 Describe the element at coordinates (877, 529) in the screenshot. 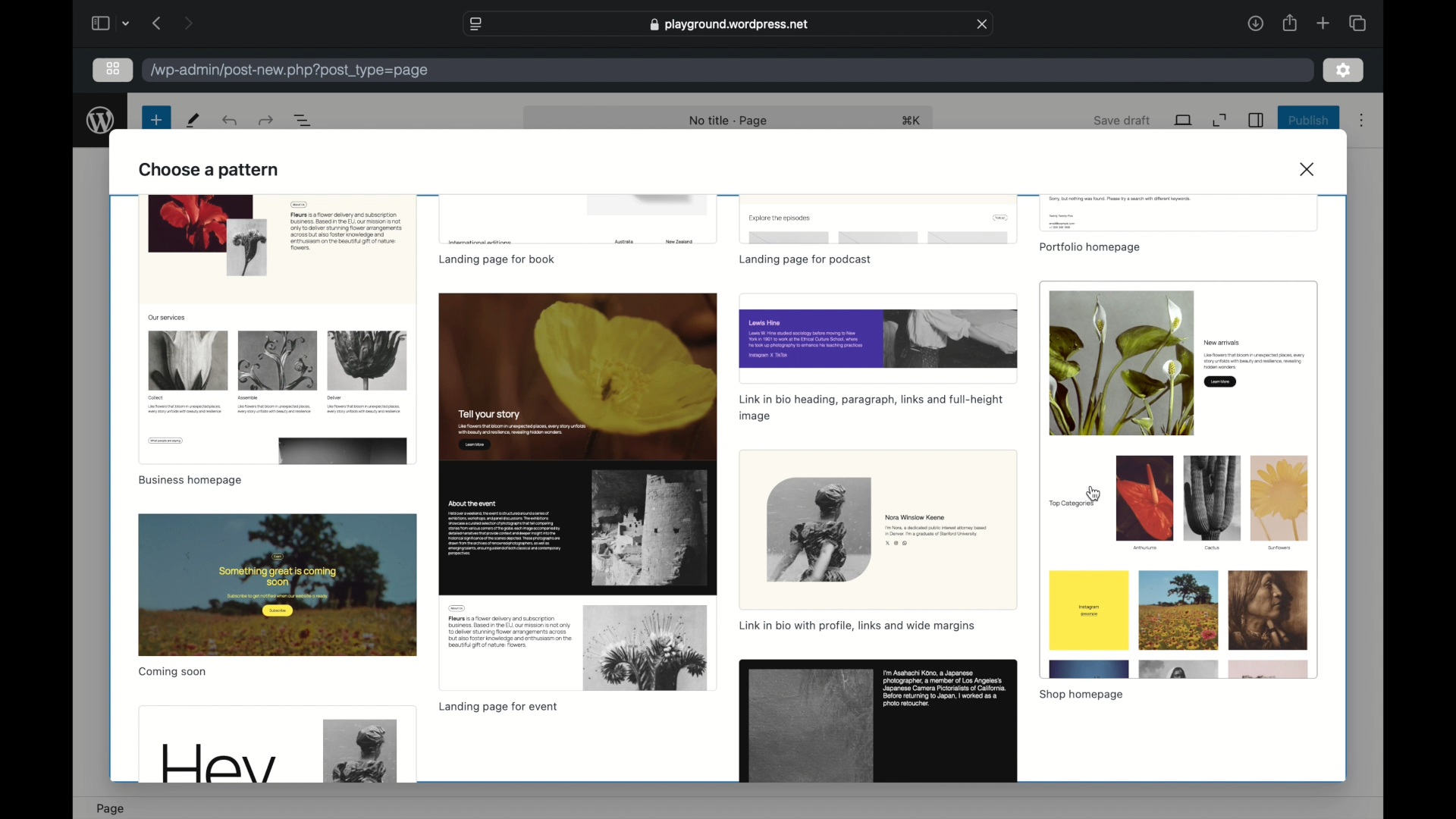

I see `preview` at that location.